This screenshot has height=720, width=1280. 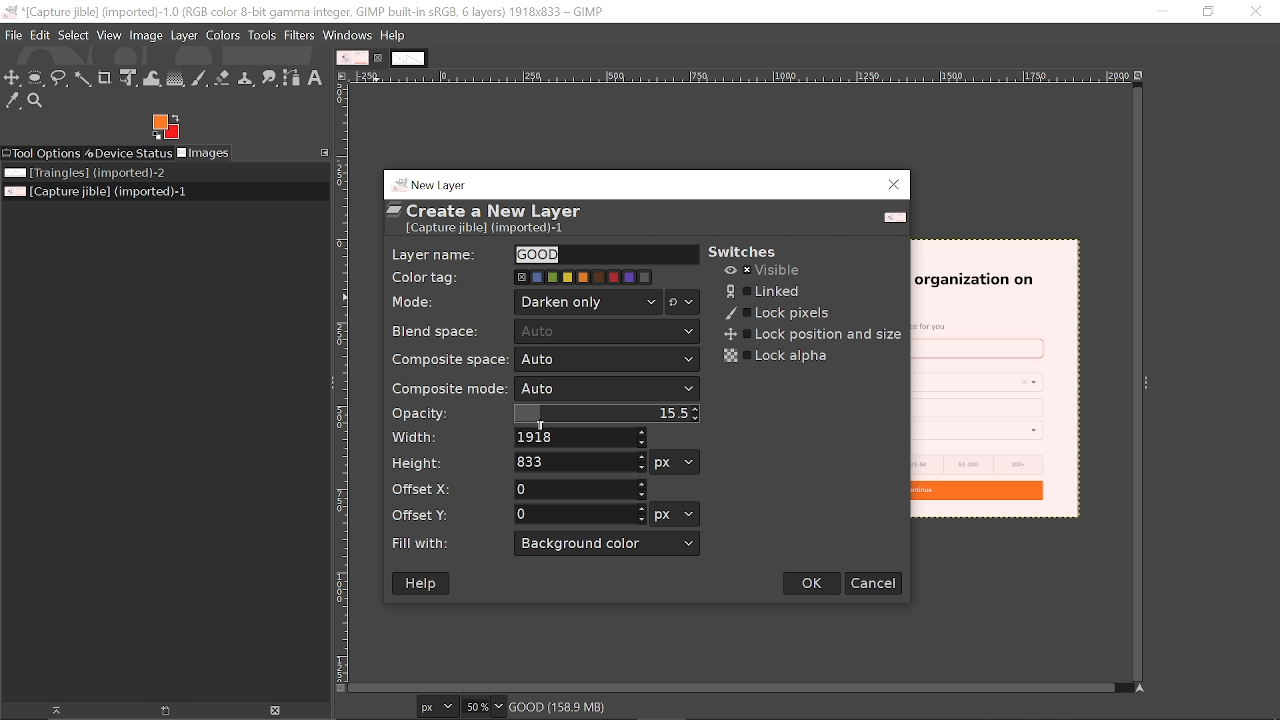 What do you see at coordinates (1142, 689) in the screenshot?
I see `Navigate this display` at bounding box center [1142, 689].